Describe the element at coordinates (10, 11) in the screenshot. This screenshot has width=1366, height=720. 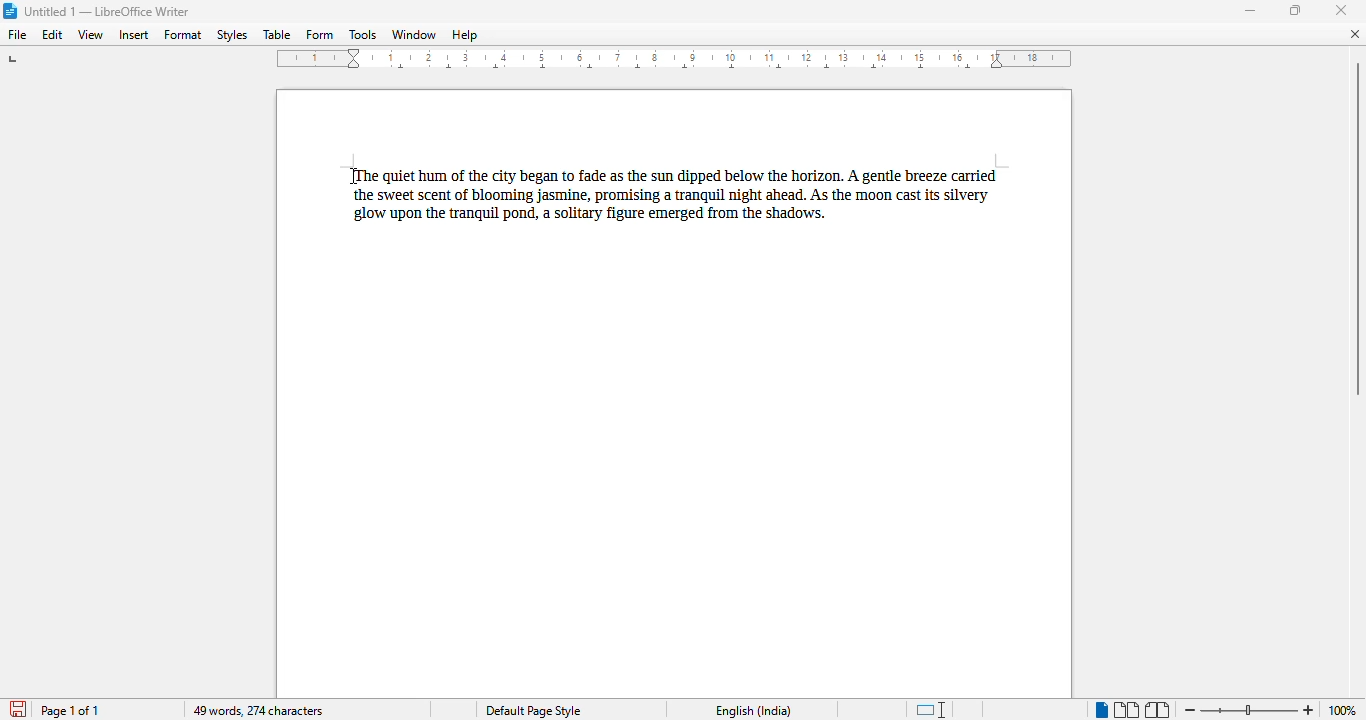
I see `logo` at that location.